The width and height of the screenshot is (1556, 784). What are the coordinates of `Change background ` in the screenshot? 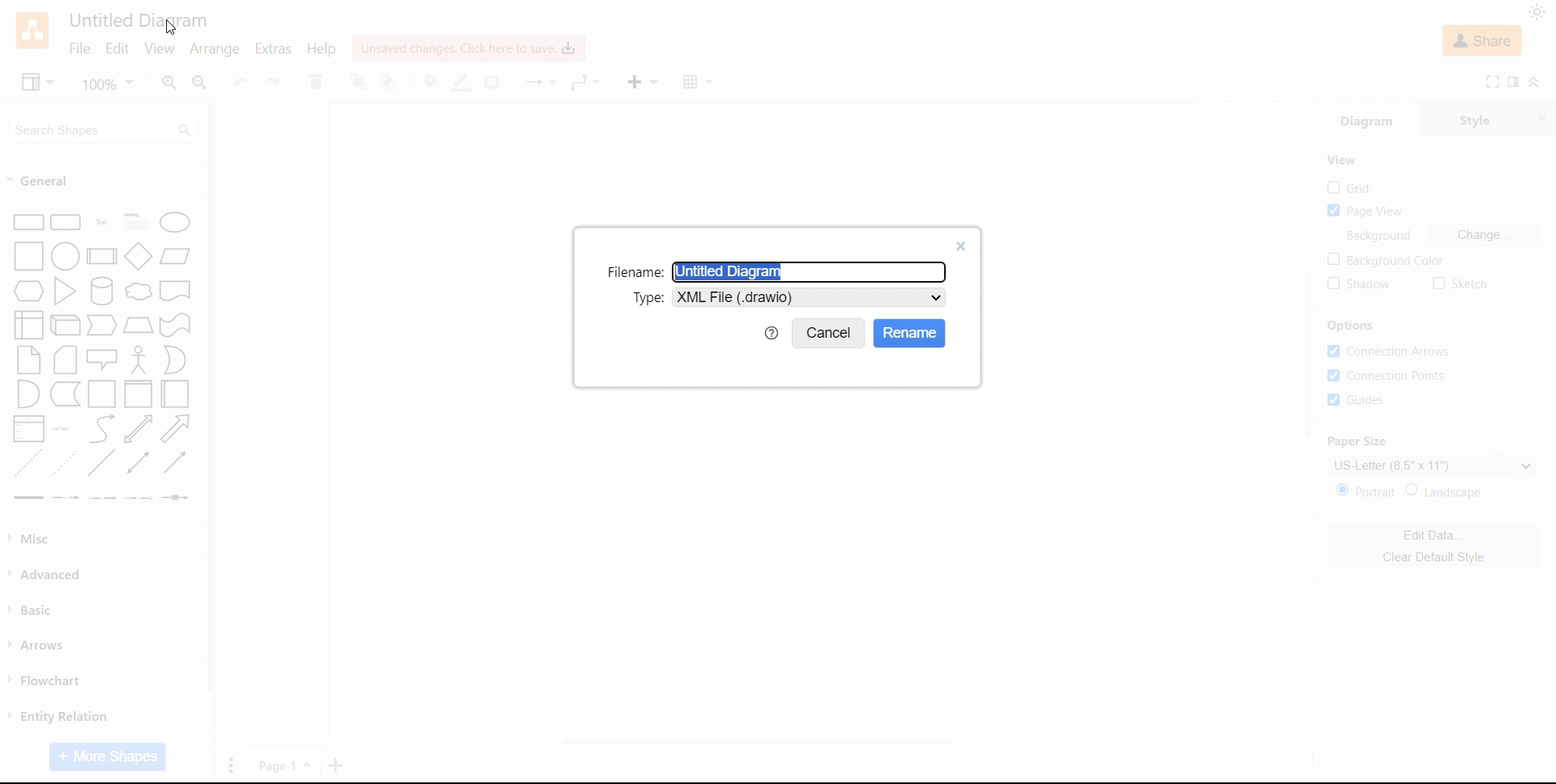 It's located at (1485, 235).